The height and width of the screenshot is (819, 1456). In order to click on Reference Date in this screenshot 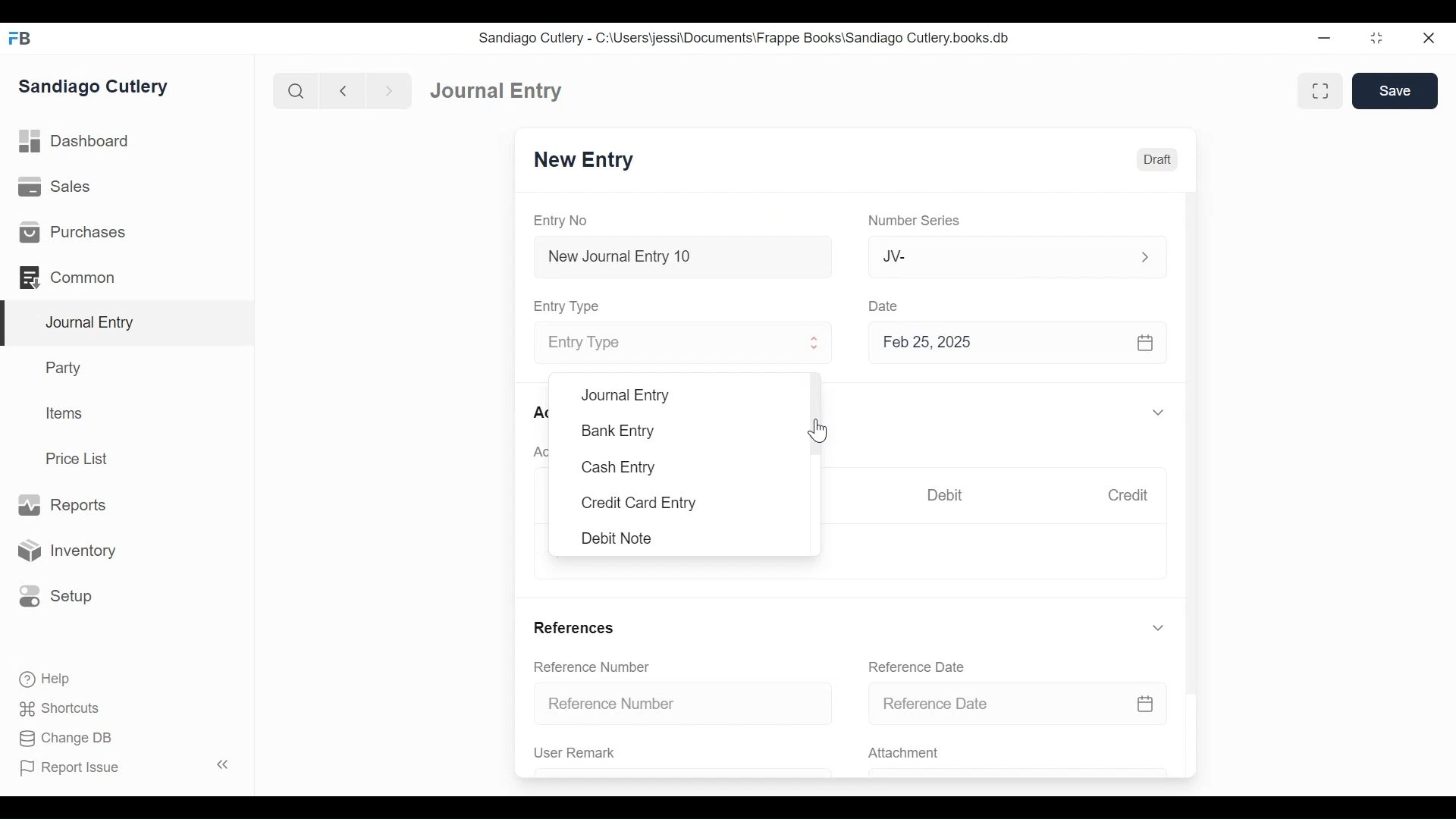, I will do `click(921, 667)`.